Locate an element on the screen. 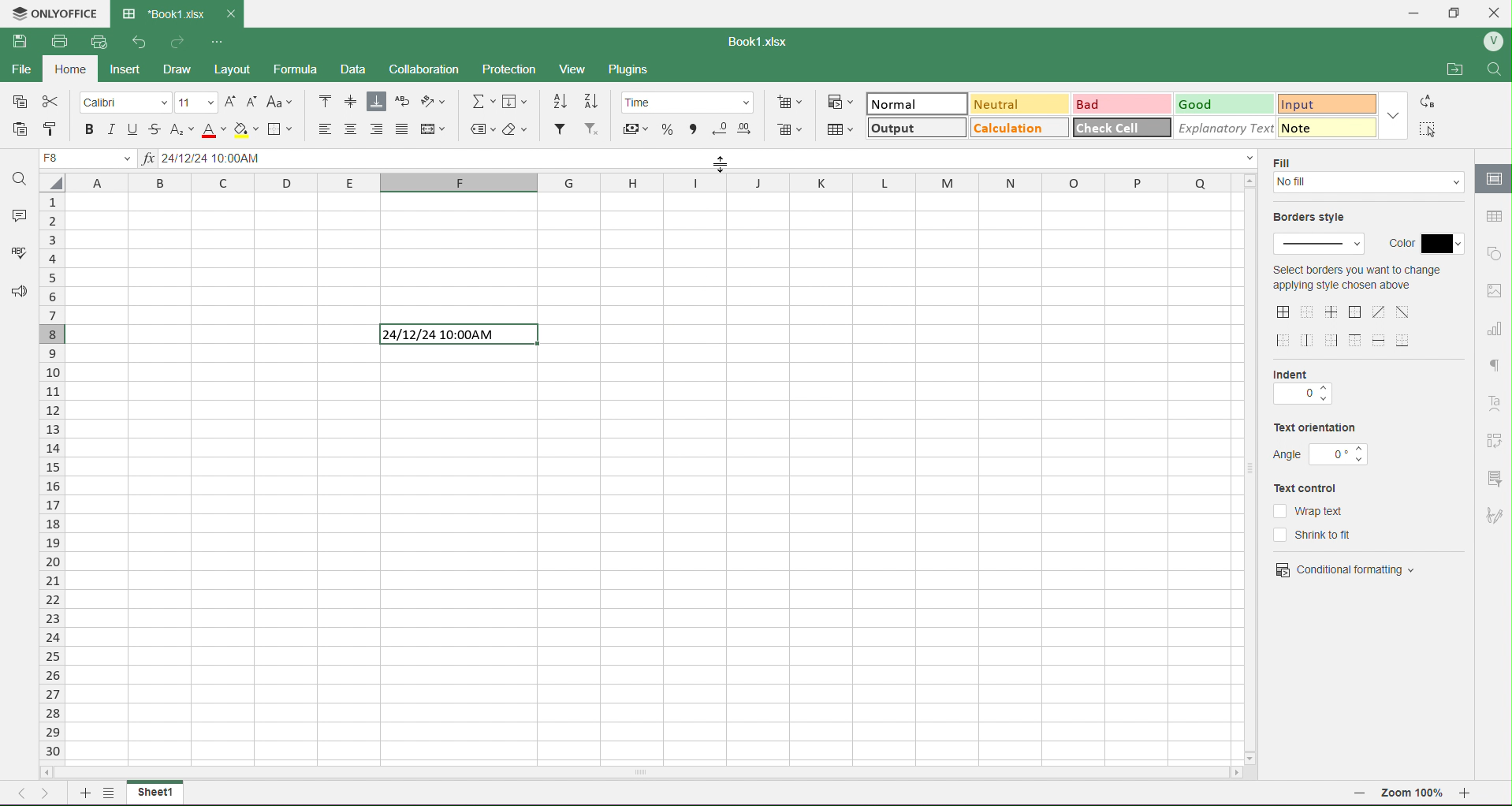 The image size is (1512, 806). File is located at coordinates (24, 73).